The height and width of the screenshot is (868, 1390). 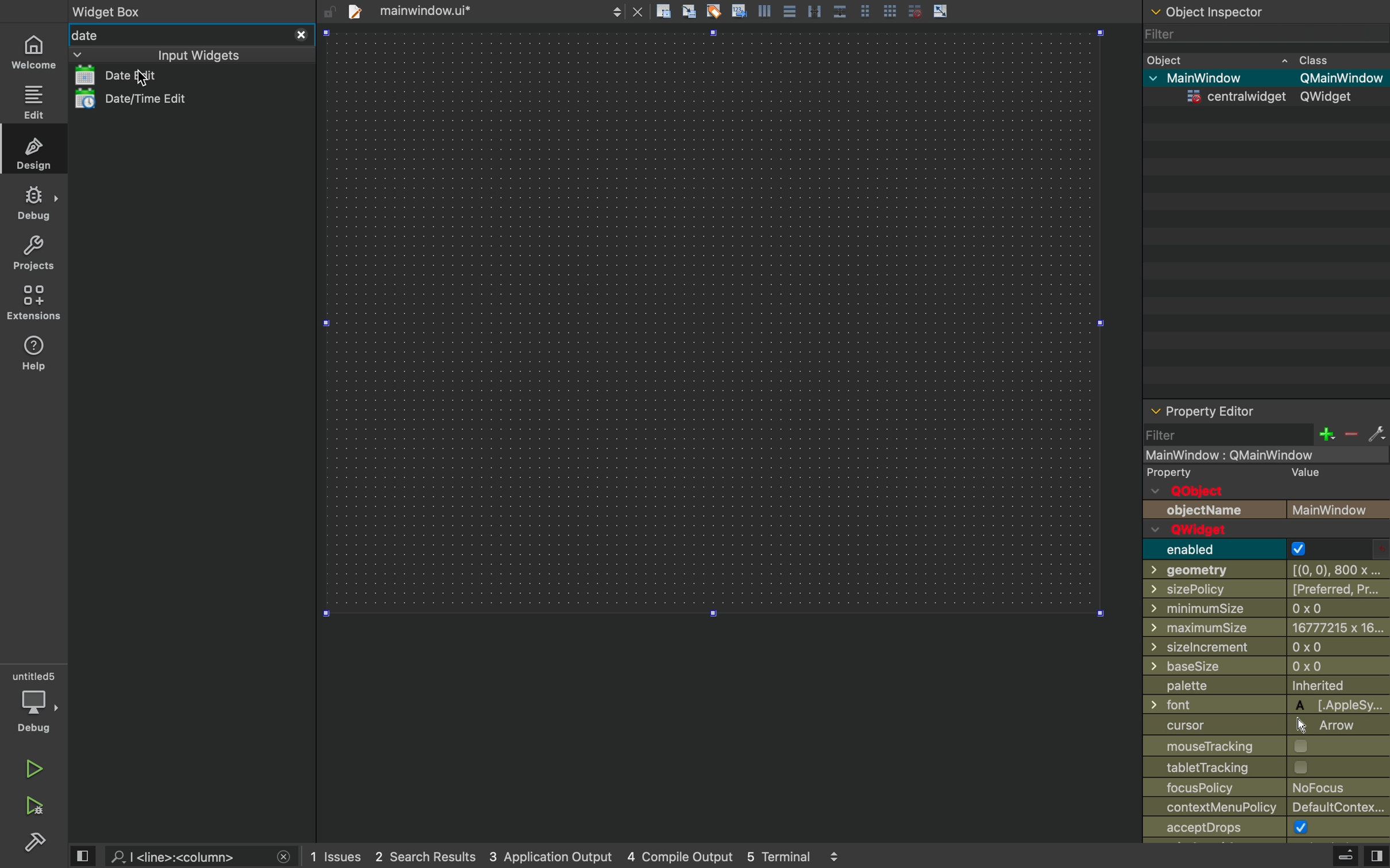 What do you see at coordinates (1235, 530) in the screenshot?
I see `q widget` at bounding box center [1235, 530].